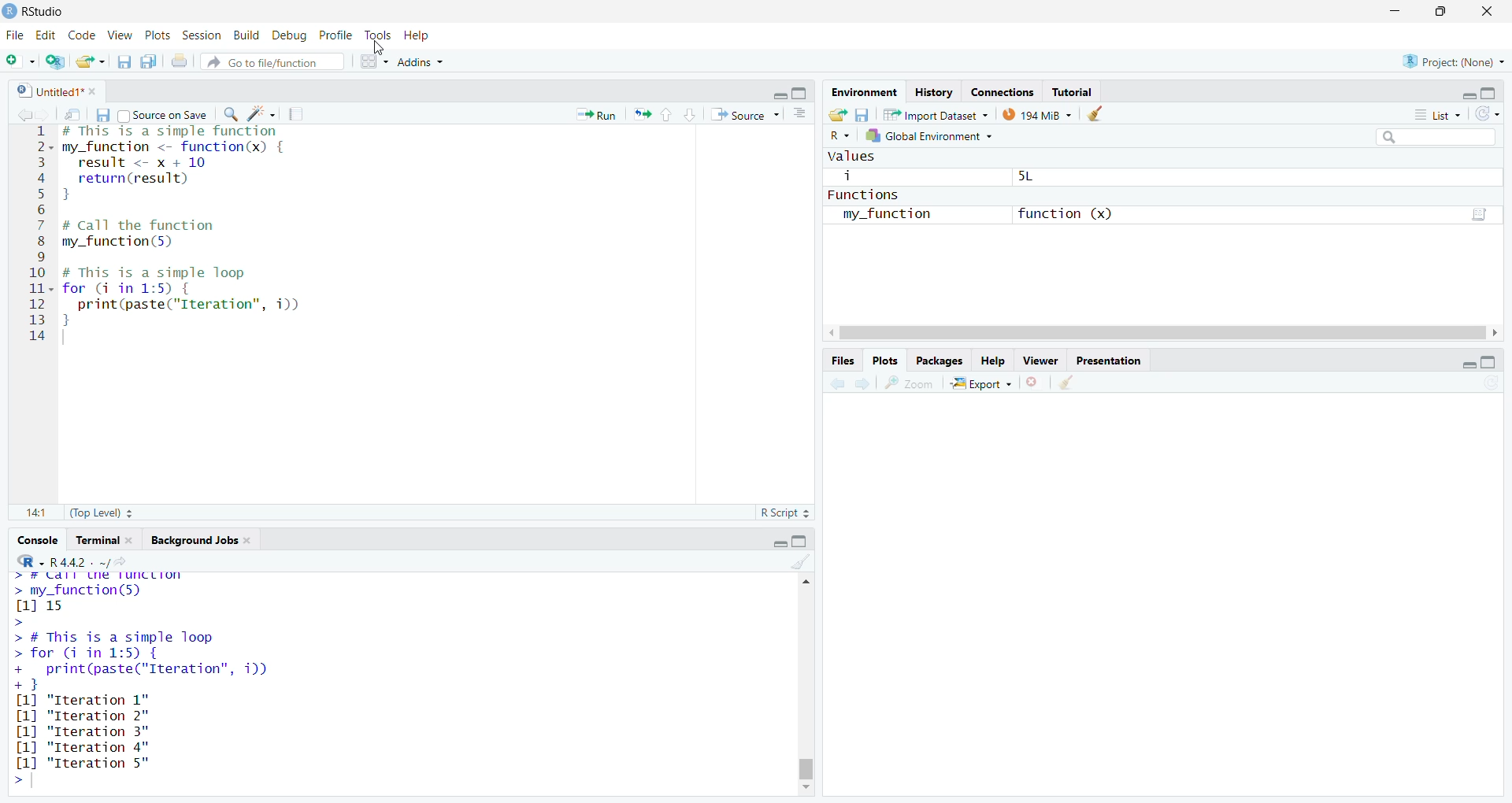 The width and height of the screenshot is (1512, 803). What do you see at coordinates (1462, 364) in the screenshot?
I see `minimize` at bounding box center [1462, 364].